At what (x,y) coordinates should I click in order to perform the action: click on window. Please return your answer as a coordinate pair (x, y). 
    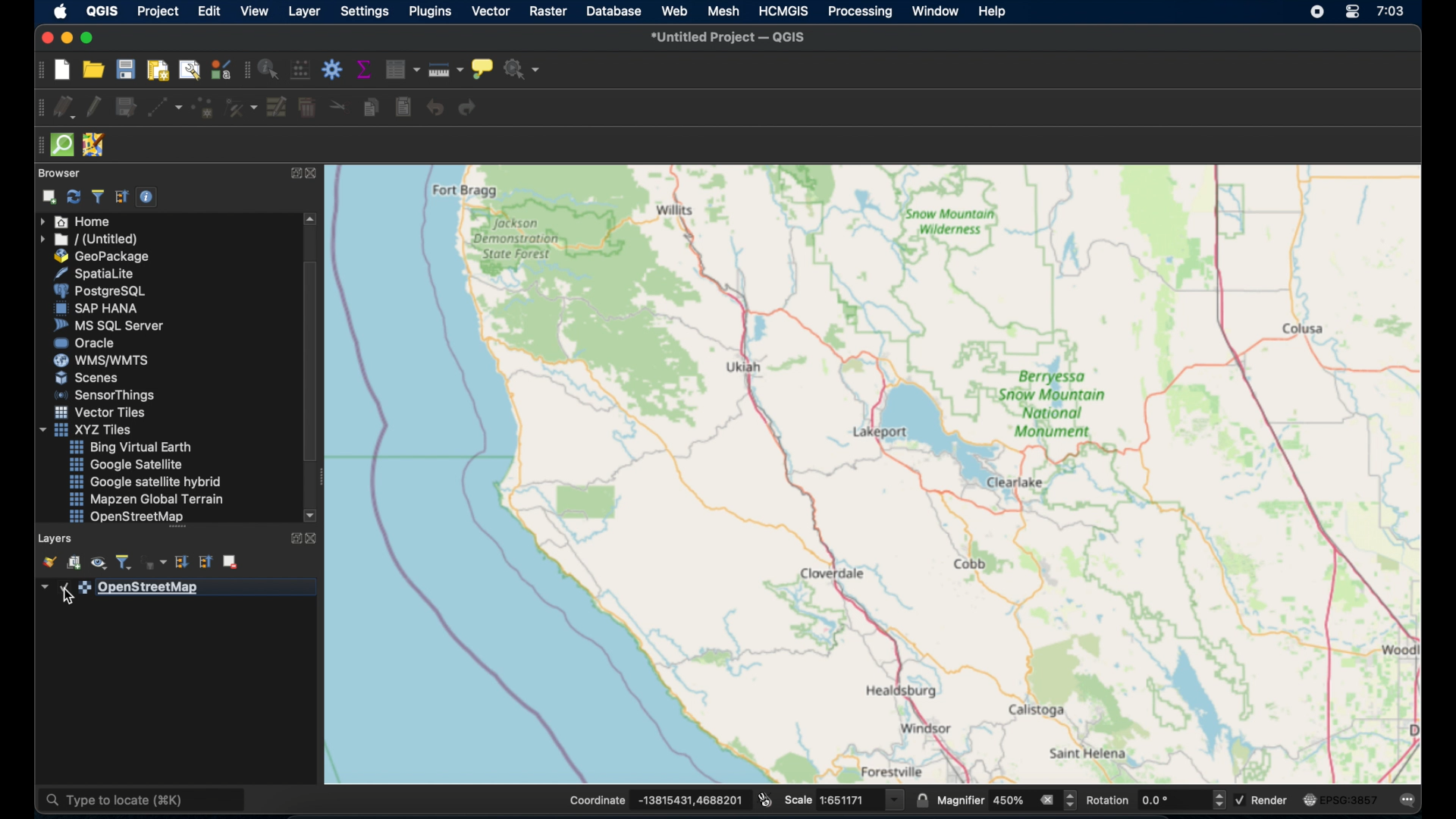
    Looking at the image, I should click on (937, 11).